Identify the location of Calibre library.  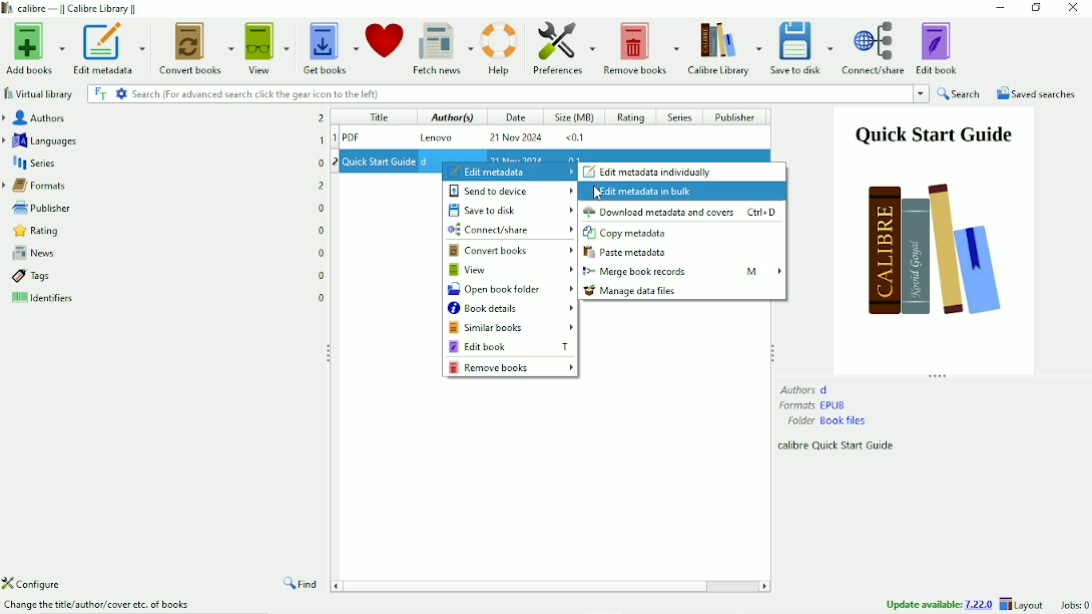
(724, 47).